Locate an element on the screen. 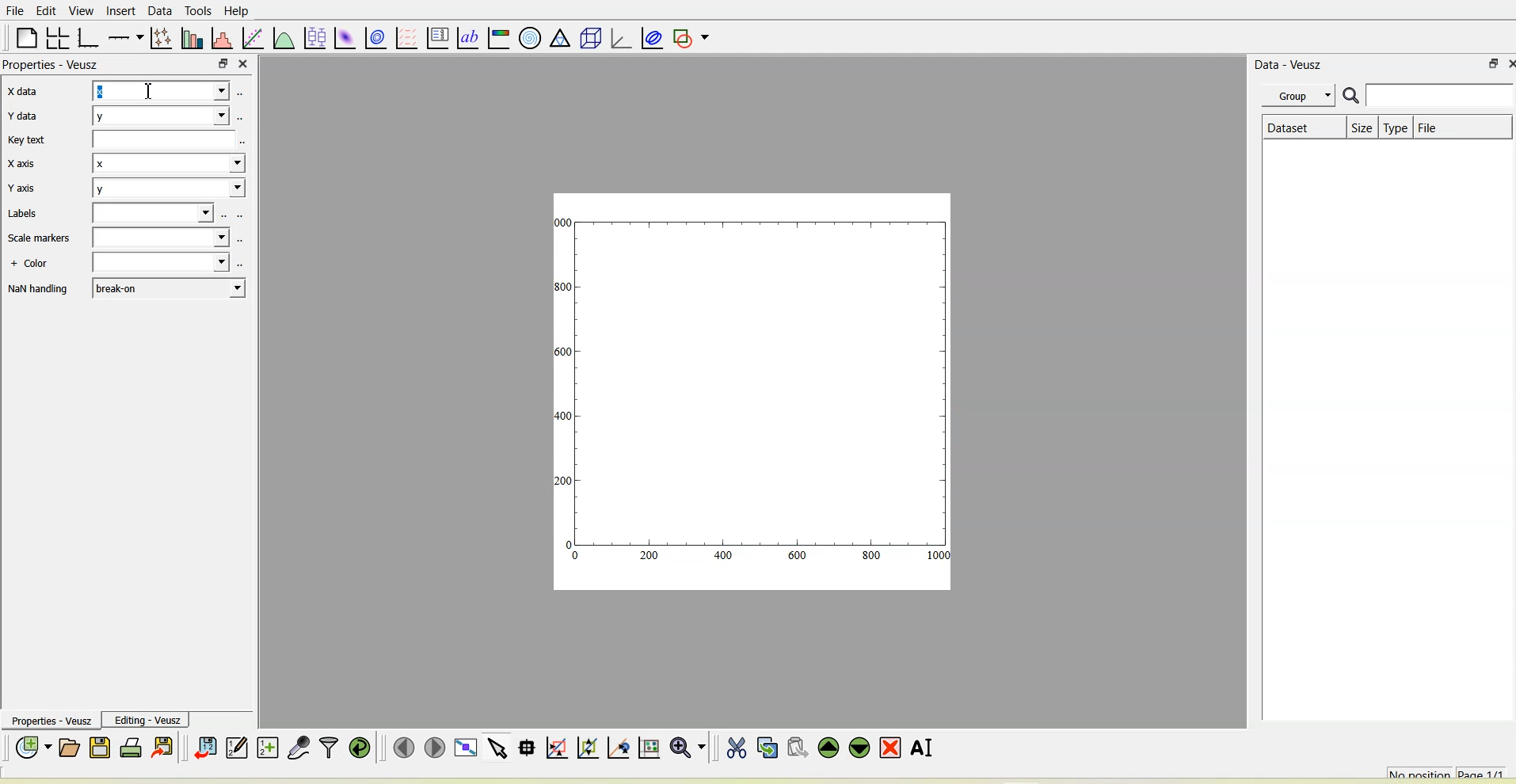 This screenshot has width=1516, height=784. Y axis is located at coordinates (24, 187).